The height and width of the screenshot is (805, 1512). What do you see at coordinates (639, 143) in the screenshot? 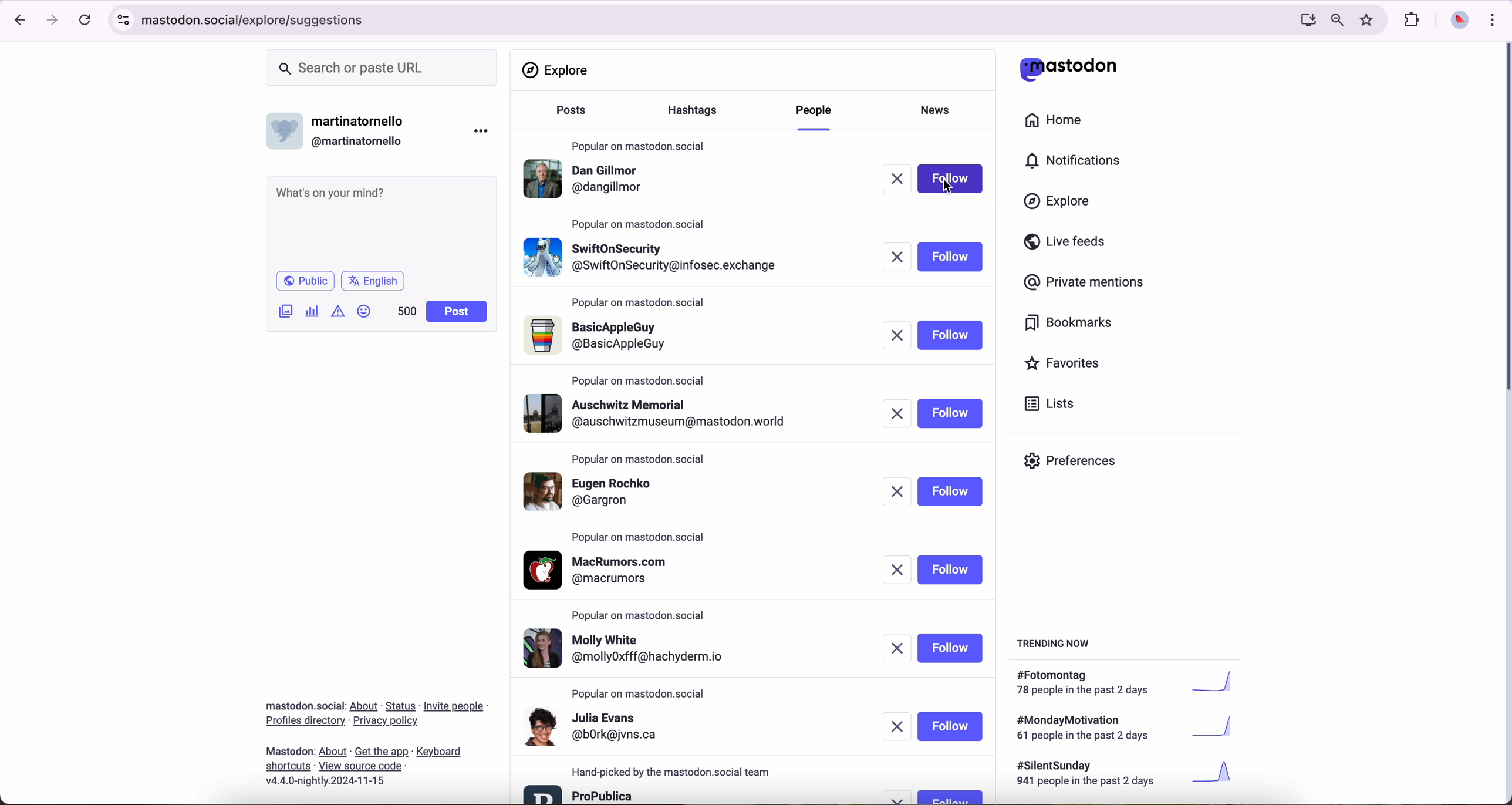
I see `popular on mastodon.social` at bounding box center [639, 143].